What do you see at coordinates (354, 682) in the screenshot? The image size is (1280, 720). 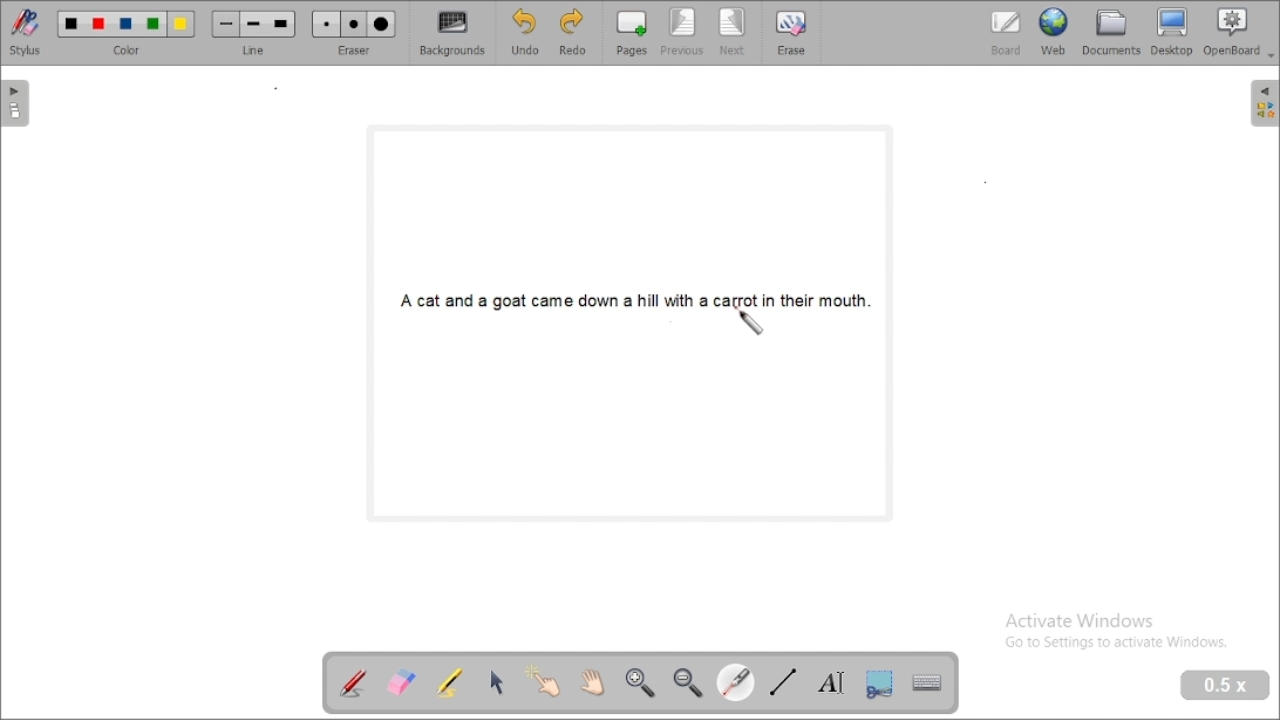 I see `annotate document` at bounding box center [354, 682].